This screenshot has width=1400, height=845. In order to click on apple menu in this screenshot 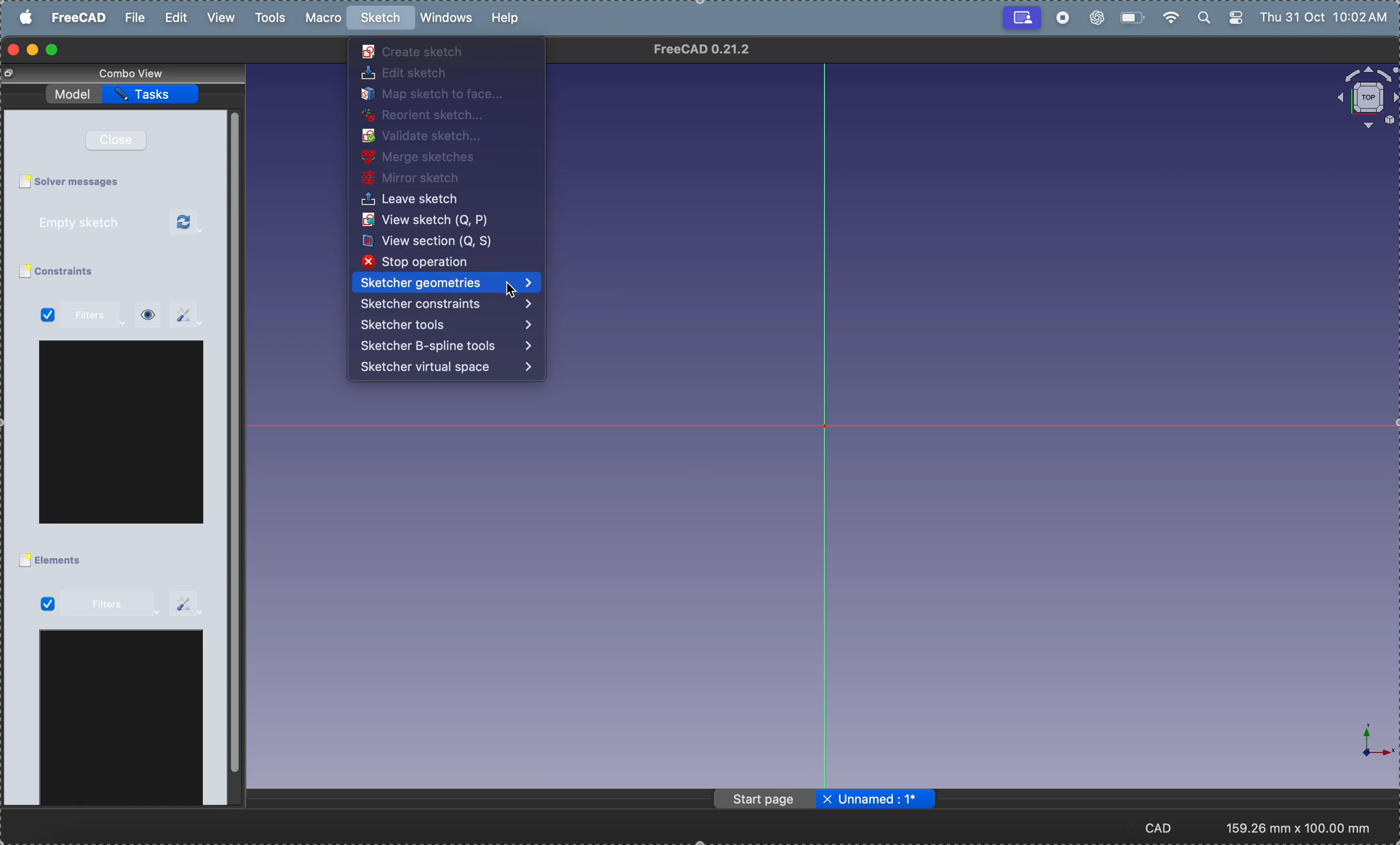, I will do `click(27, 17)`.